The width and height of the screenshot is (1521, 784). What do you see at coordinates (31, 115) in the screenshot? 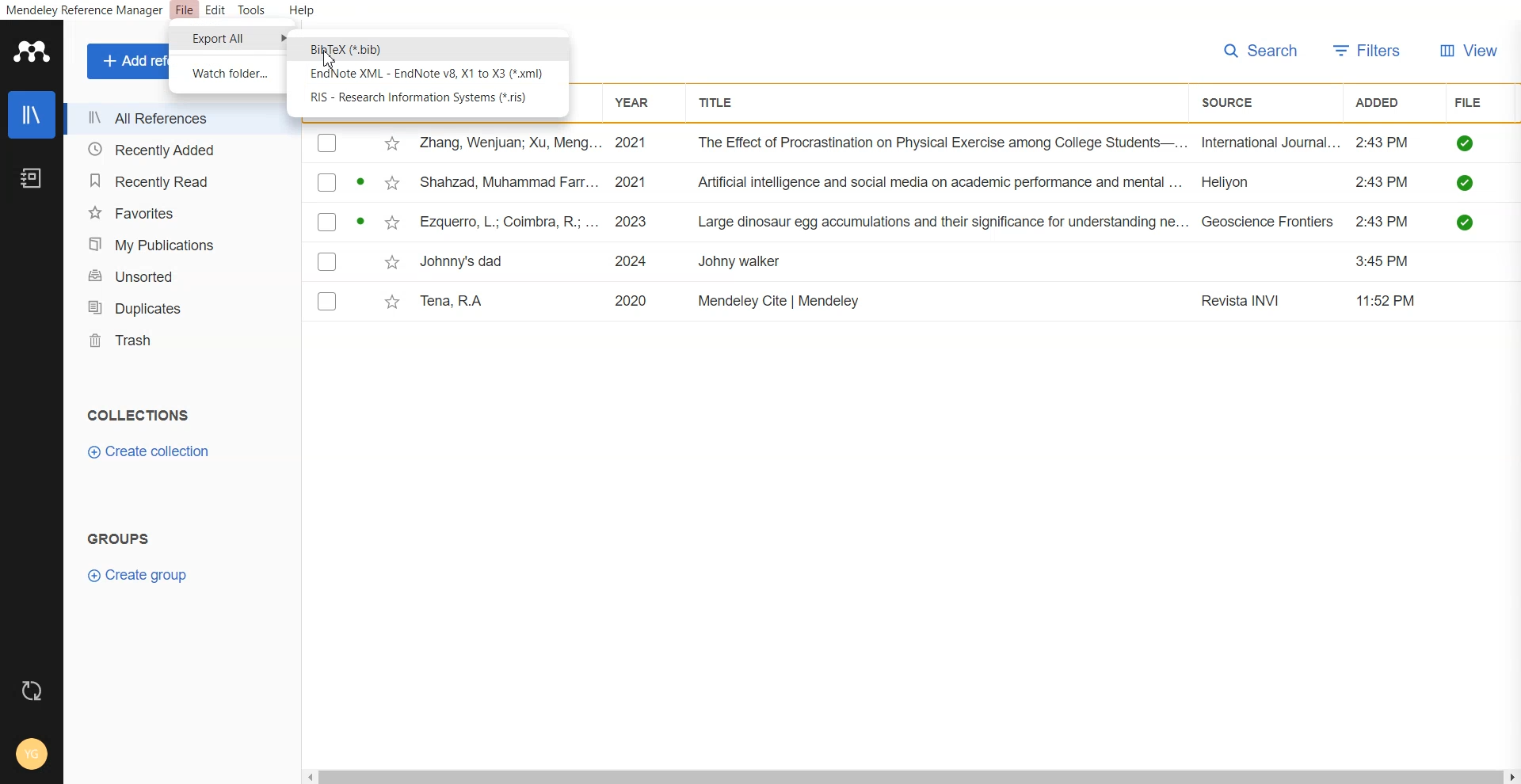
I see `Library` at bounding box center [31, 115].